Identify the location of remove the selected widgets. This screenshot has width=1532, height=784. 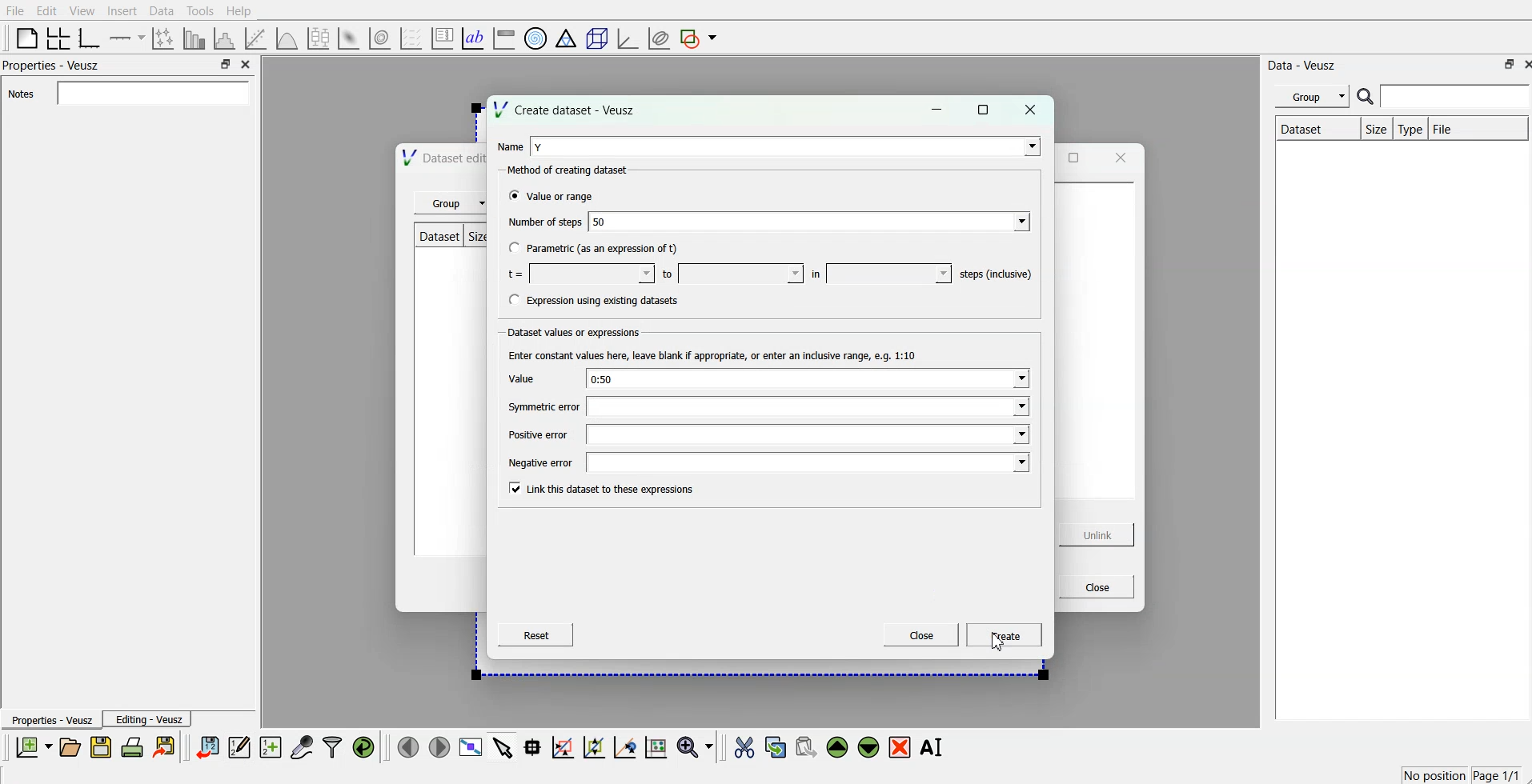
(900, 748).